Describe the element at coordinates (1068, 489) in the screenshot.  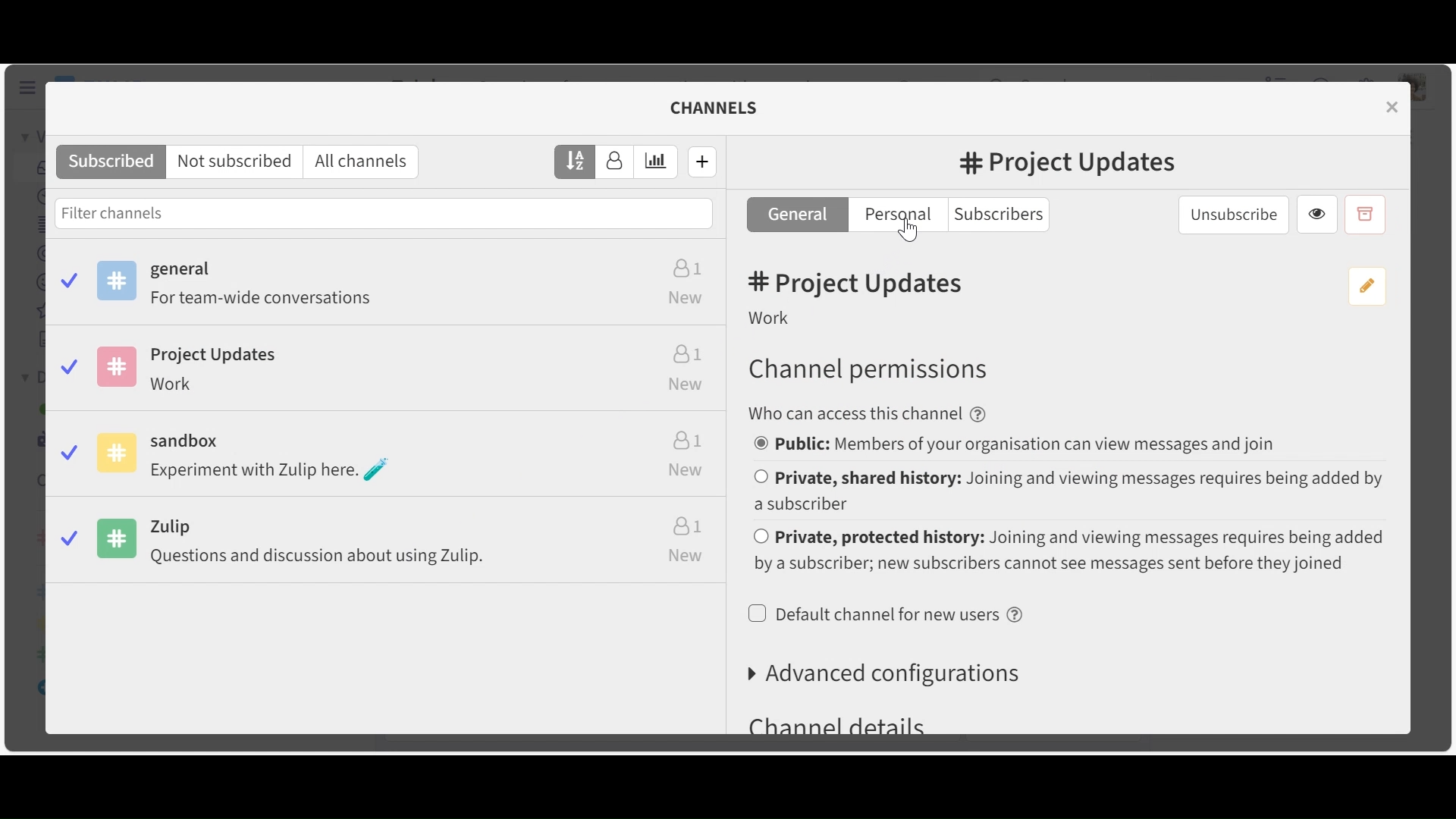
I see `(un)select Private, shared History` at that location.